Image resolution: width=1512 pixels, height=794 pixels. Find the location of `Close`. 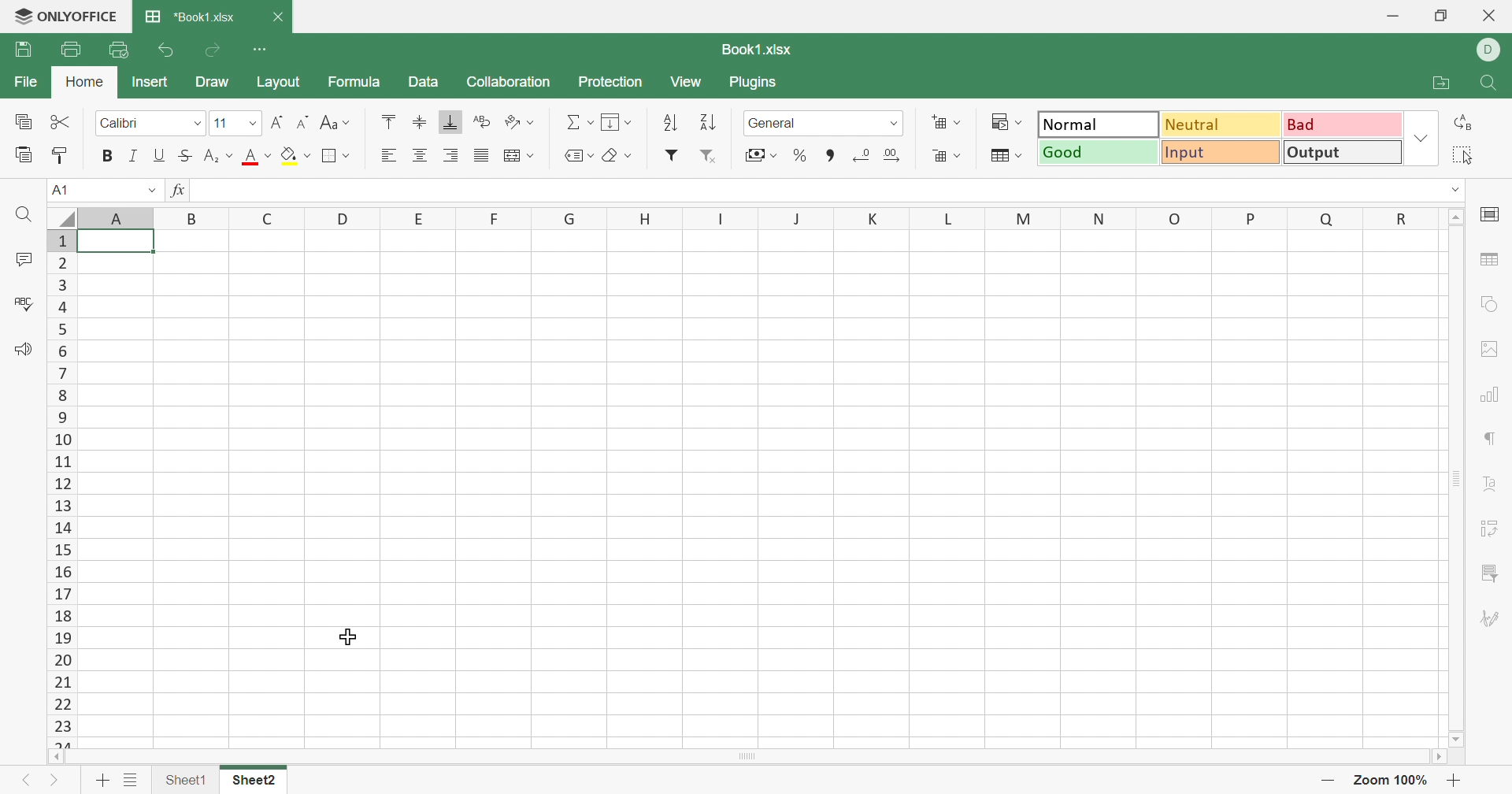

Close is located at coordinates (281, 19).